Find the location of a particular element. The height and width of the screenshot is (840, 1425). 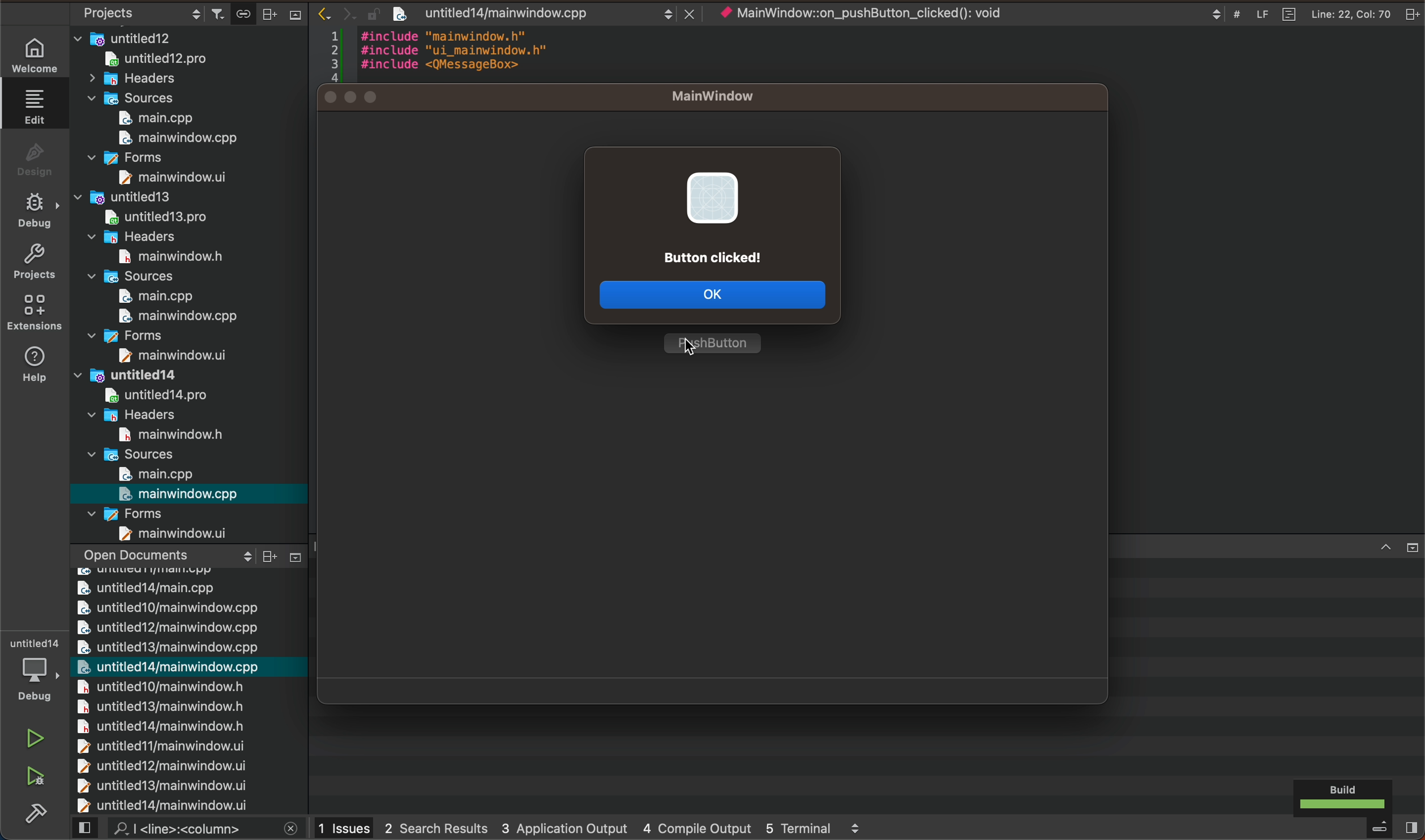

Extensions is located at coordinates (31, 312).